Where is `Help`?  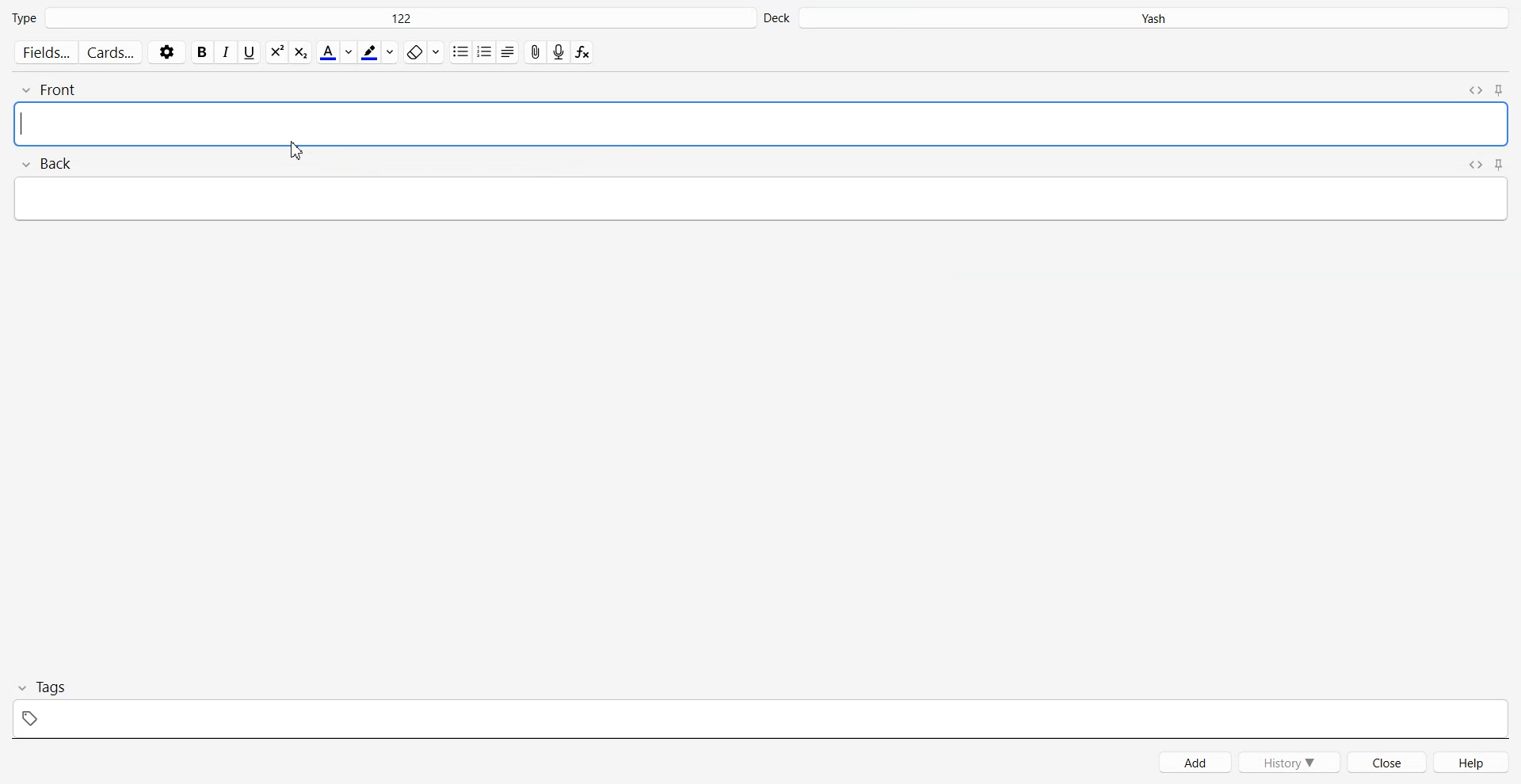 Help is located at coordinates (1473, 762).